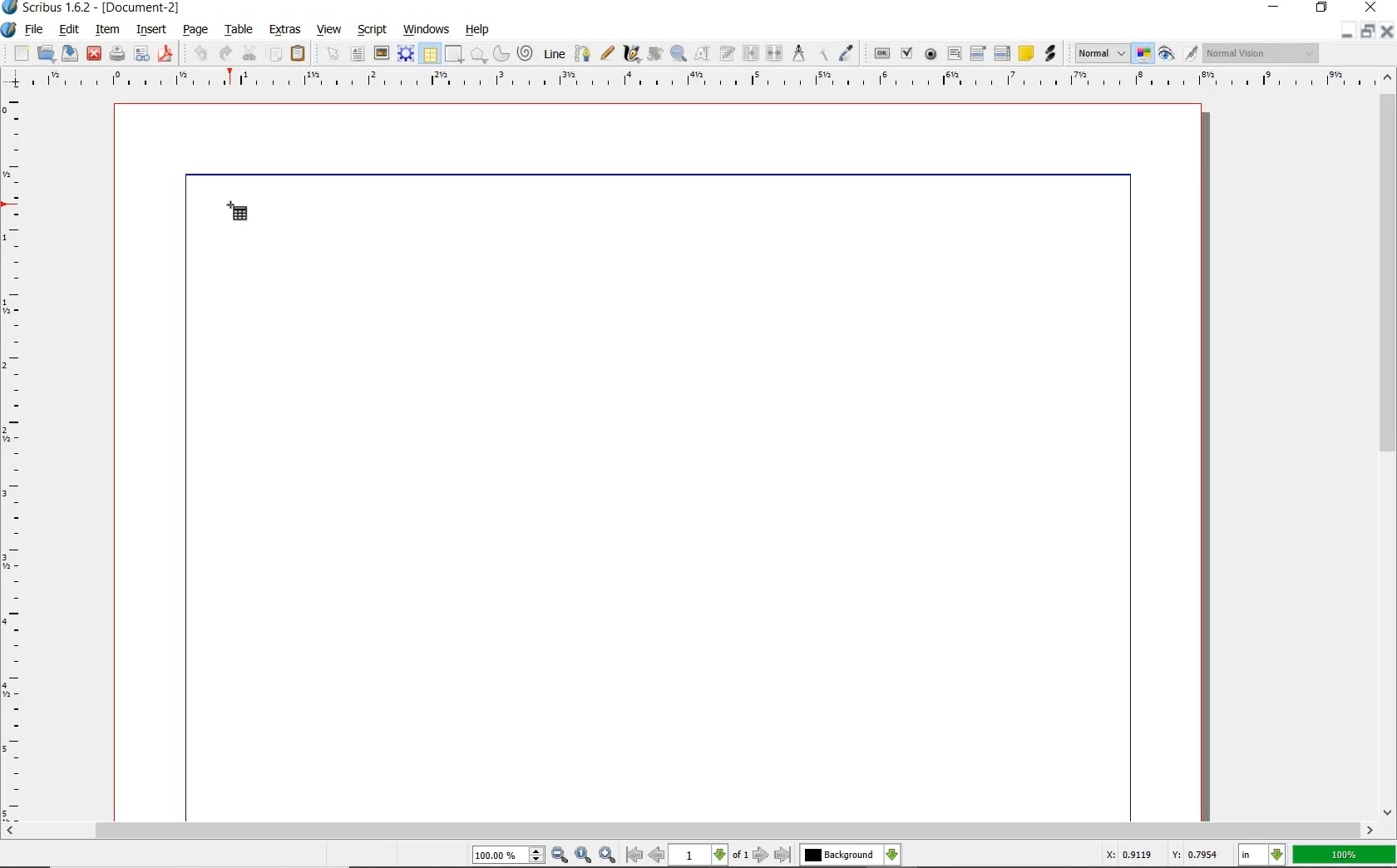  What do you see at coordinates (1264, 52) in the screenshot?
I see `visual appearance of the display` at bounding box center [1264, 52].